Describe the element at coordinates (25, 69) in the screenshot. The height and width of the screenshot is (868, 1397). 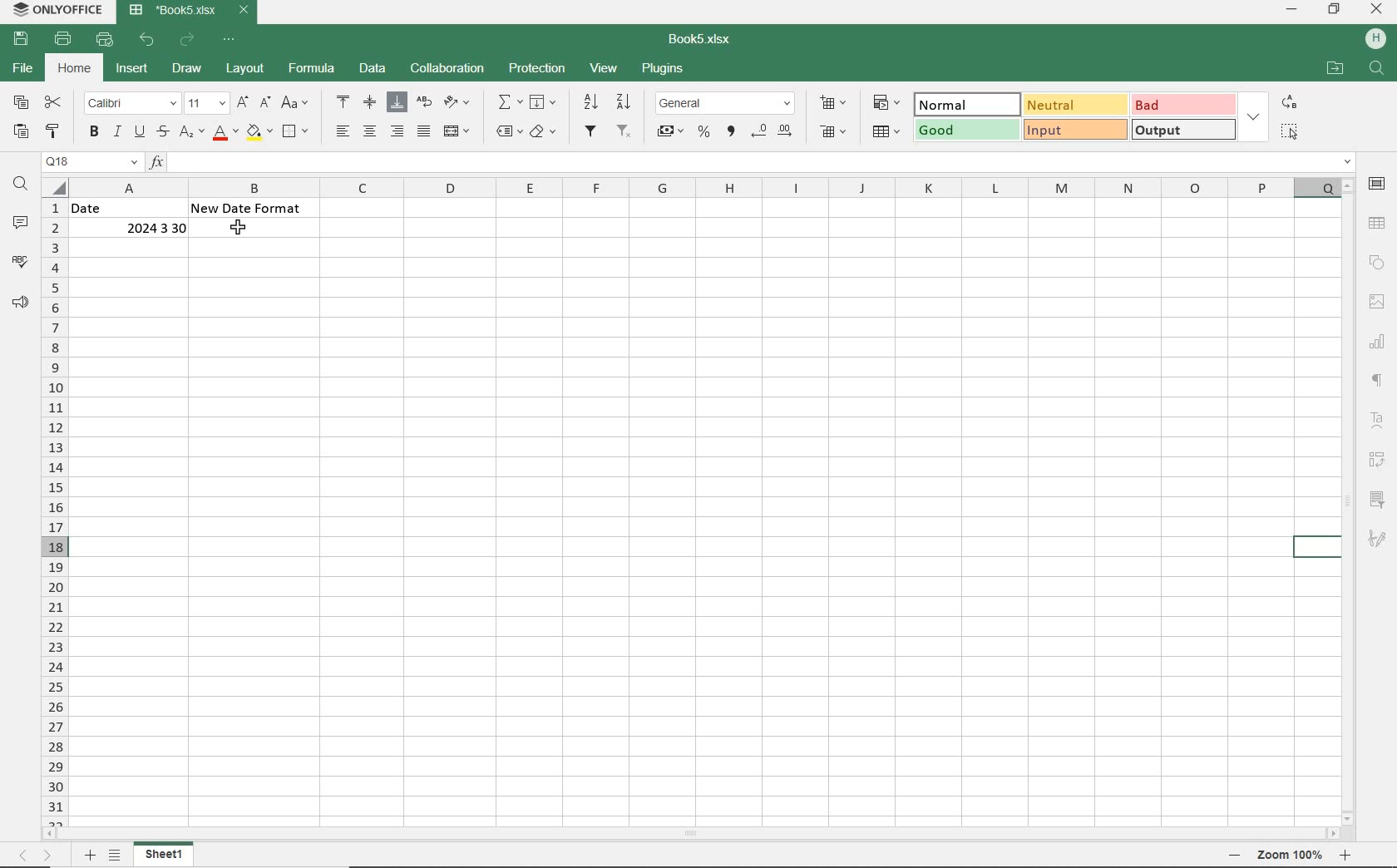
I see `FILE` at that location.